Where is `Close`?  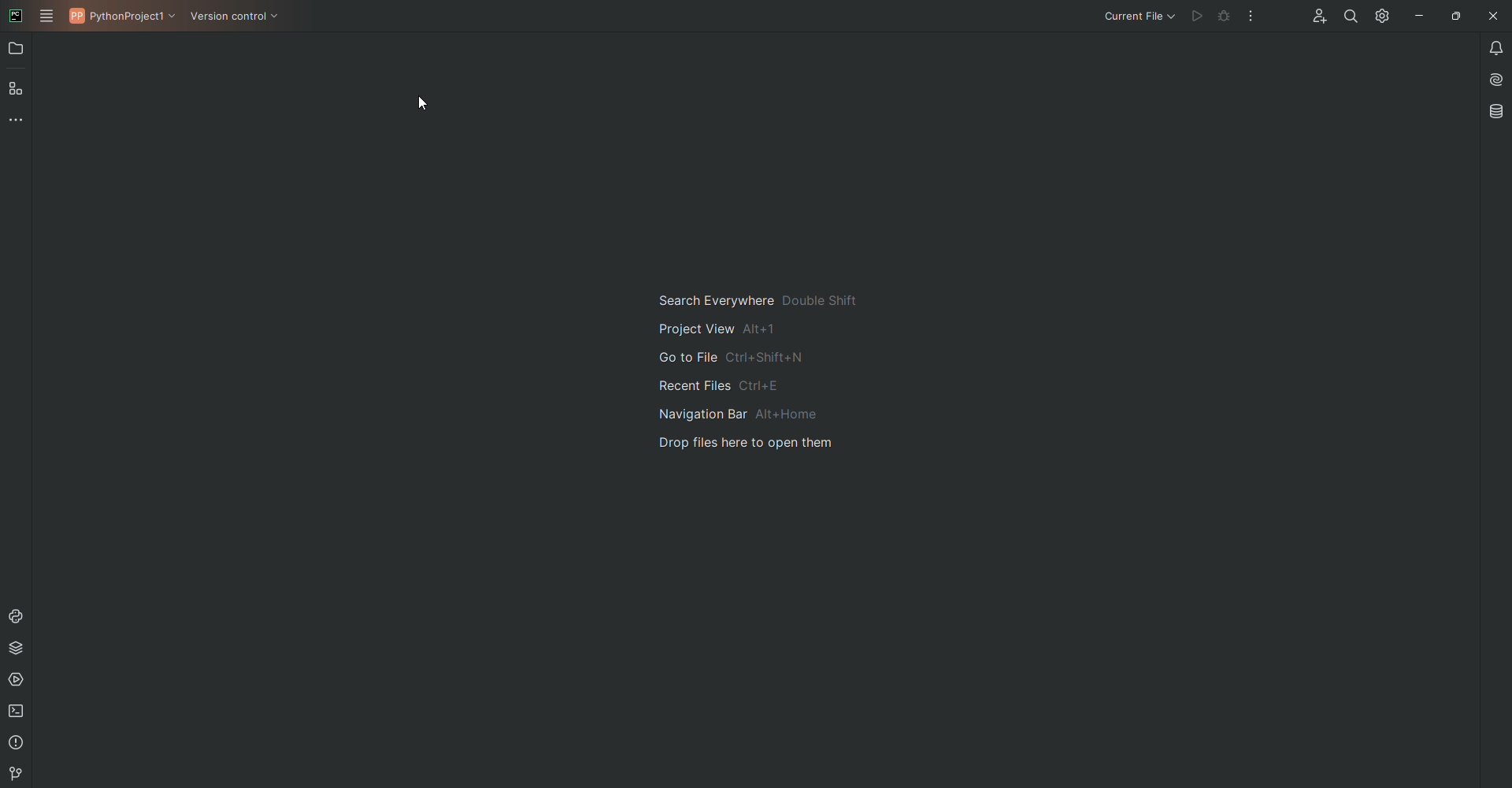 Close is located at coordinates (1492, 16).